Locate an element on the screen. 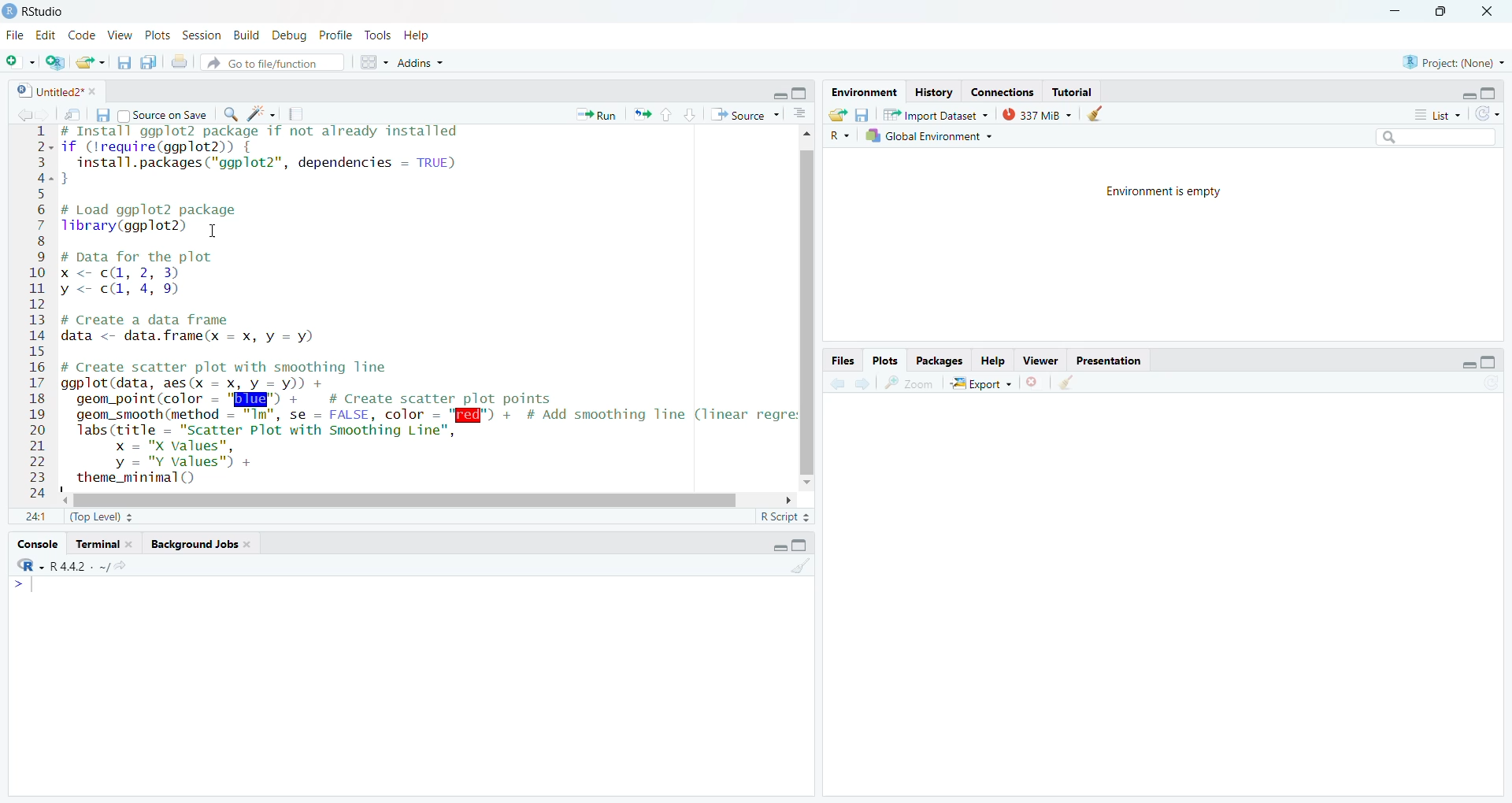 This screenshot has height=803, width=1512. find/replace is located at coordinates (230, 114).